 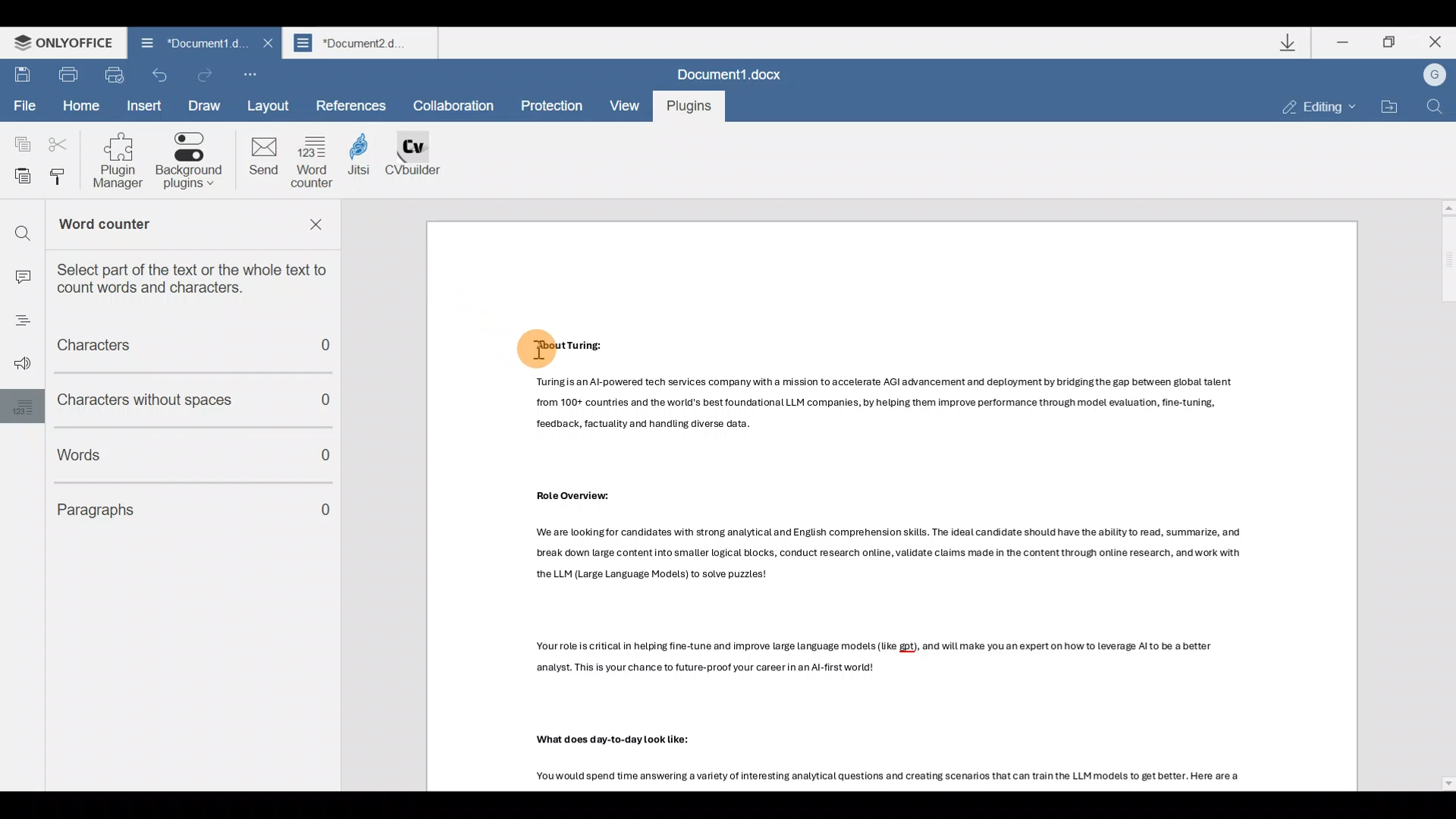 What do you see at coordinates (164, 400) in the screenshot?
I see `Characters without spaces count` at bounding box center [164, 400].